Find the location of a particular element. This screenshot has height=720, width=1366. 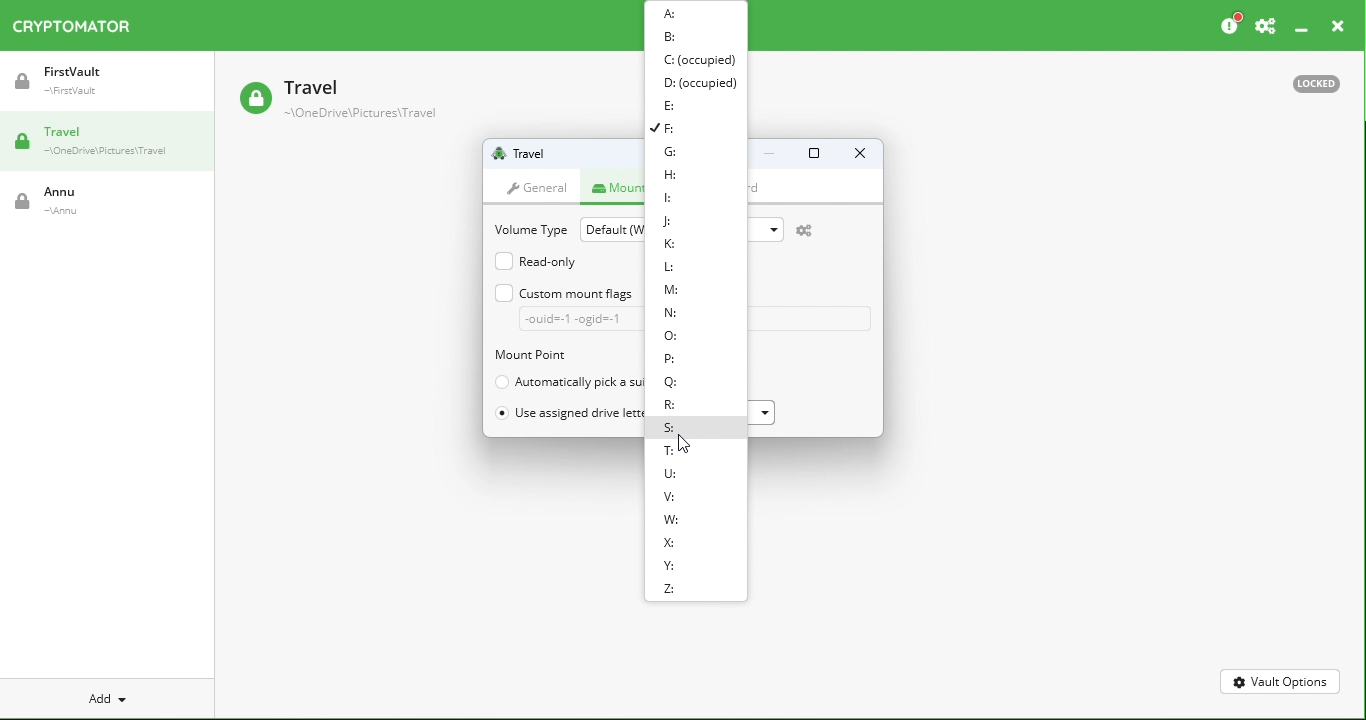

Q: is located at coordinates (667, 384).